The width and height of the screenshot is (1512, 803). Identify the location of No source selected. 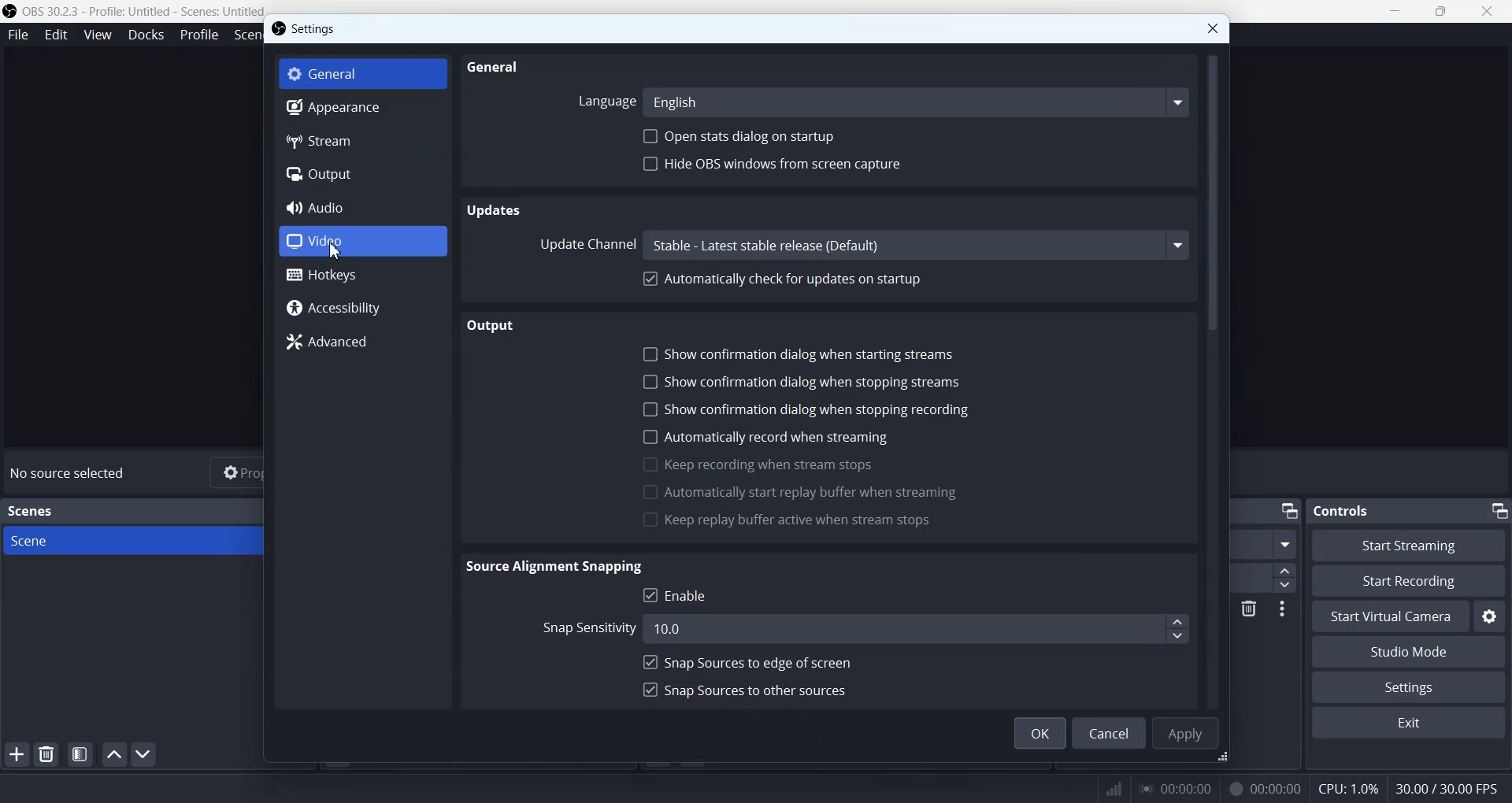
(72, 475).